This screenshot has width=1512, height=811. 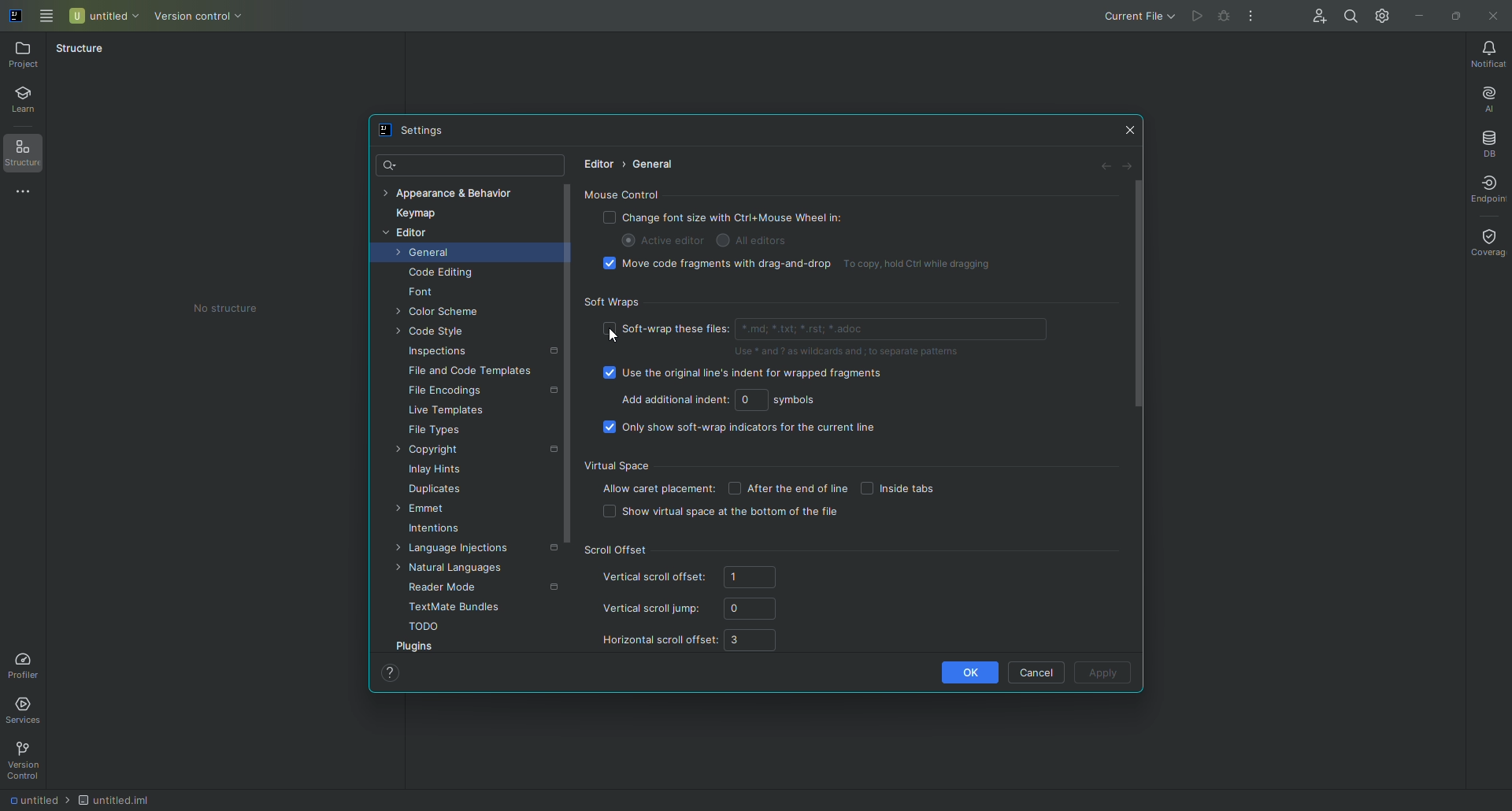 I want to click on Natural languages, so click(x=450, y=569).